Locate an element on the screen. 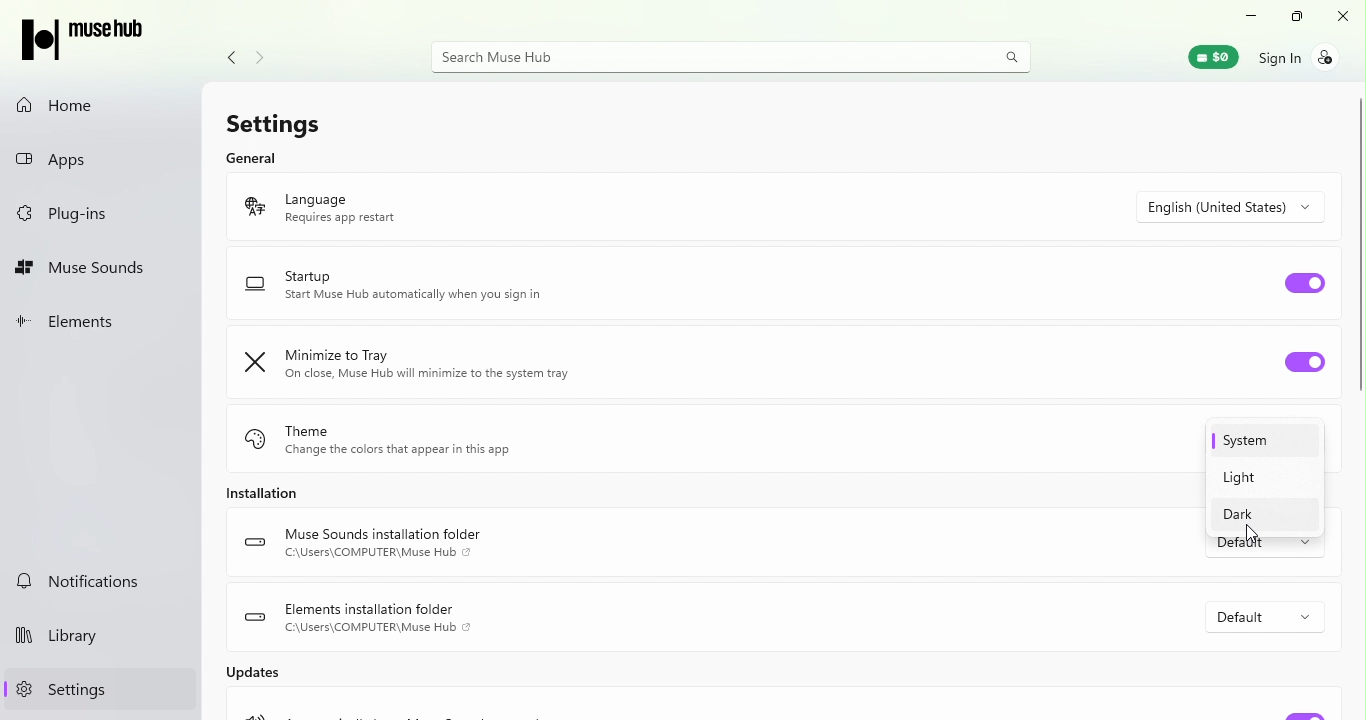 This screenshot has height=720, width=1366. Muse wallet is located at coordinates (1215, 56).